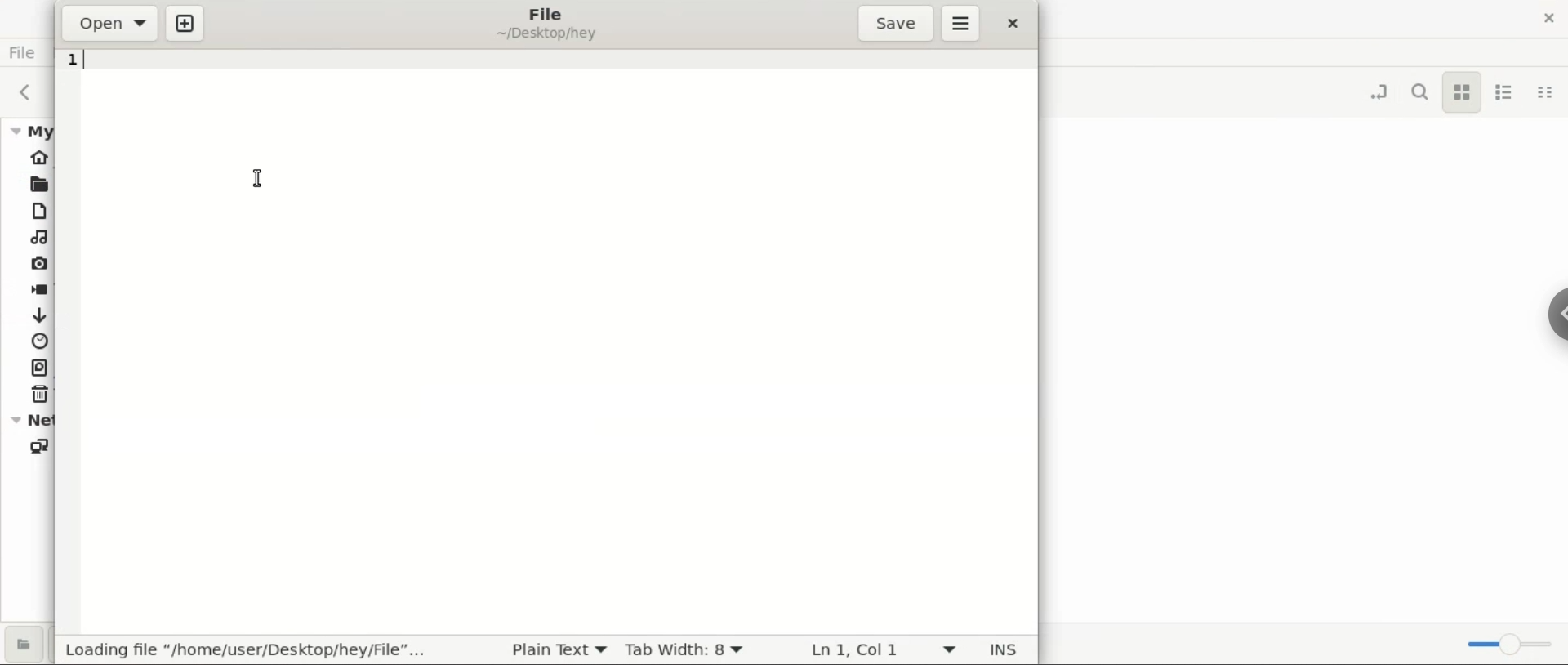 The height and width of the screenshot is (665, 1568). What do you see at coordinates (546, 25) in the screenshot?
I see `file ` at bounding box center [546, 25].